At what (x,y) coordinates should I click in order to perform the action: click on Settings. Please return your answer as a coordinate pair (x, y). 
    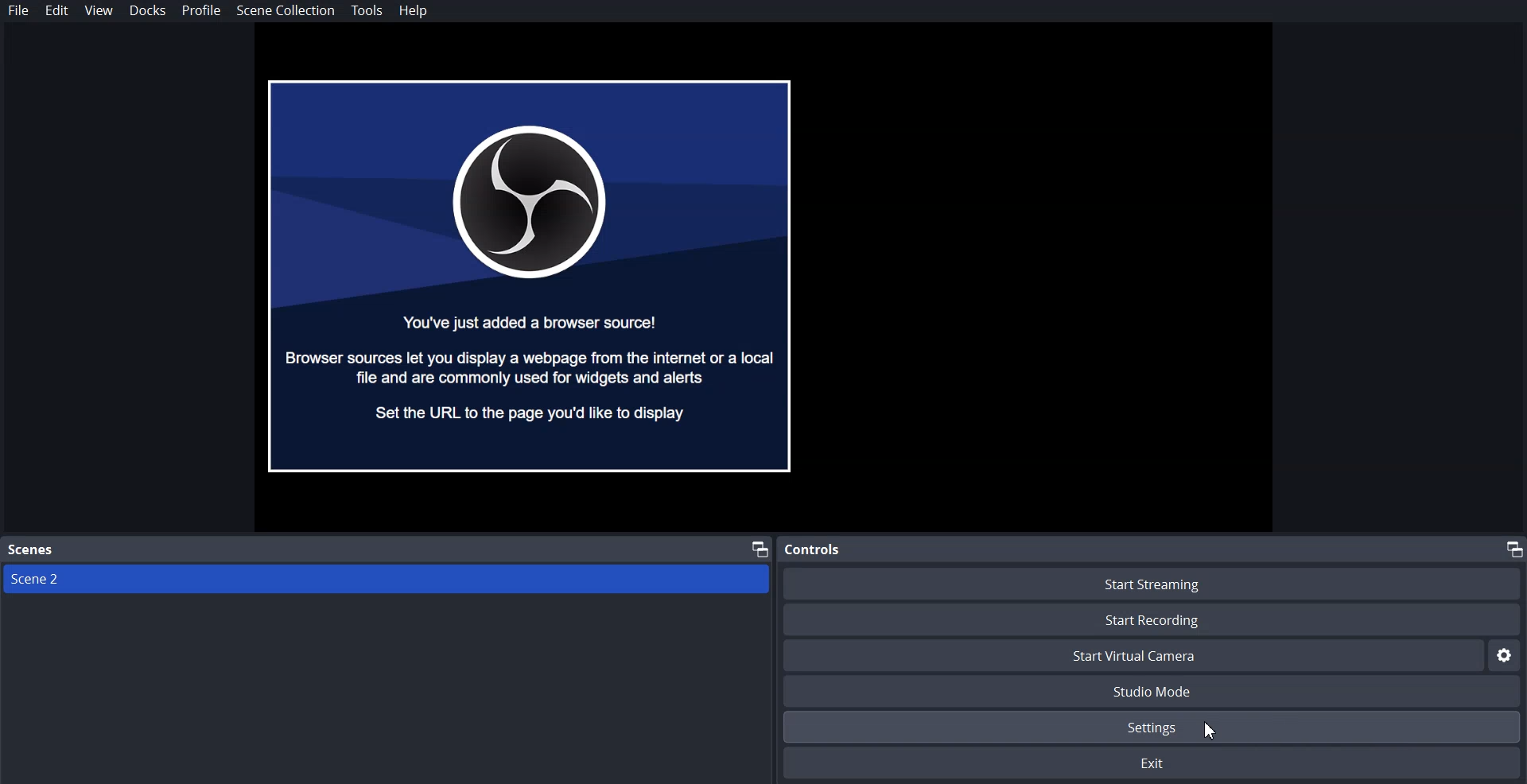
    Looking at the image, I should click on (1507, 655).